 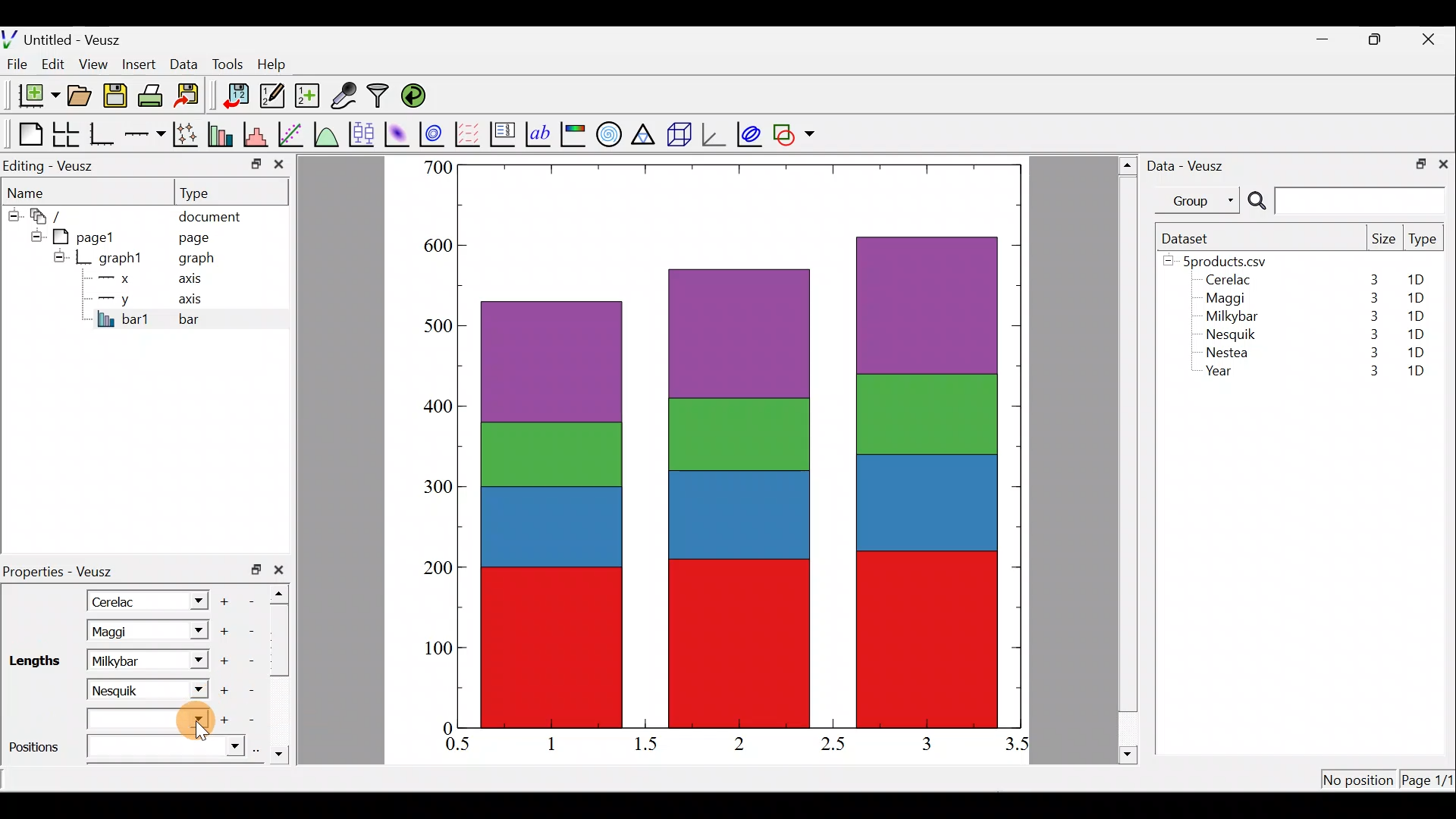 What do you see at coordinates (458, 746) in the screenshot?
I see `0.5` at bounding box center [458, 746].